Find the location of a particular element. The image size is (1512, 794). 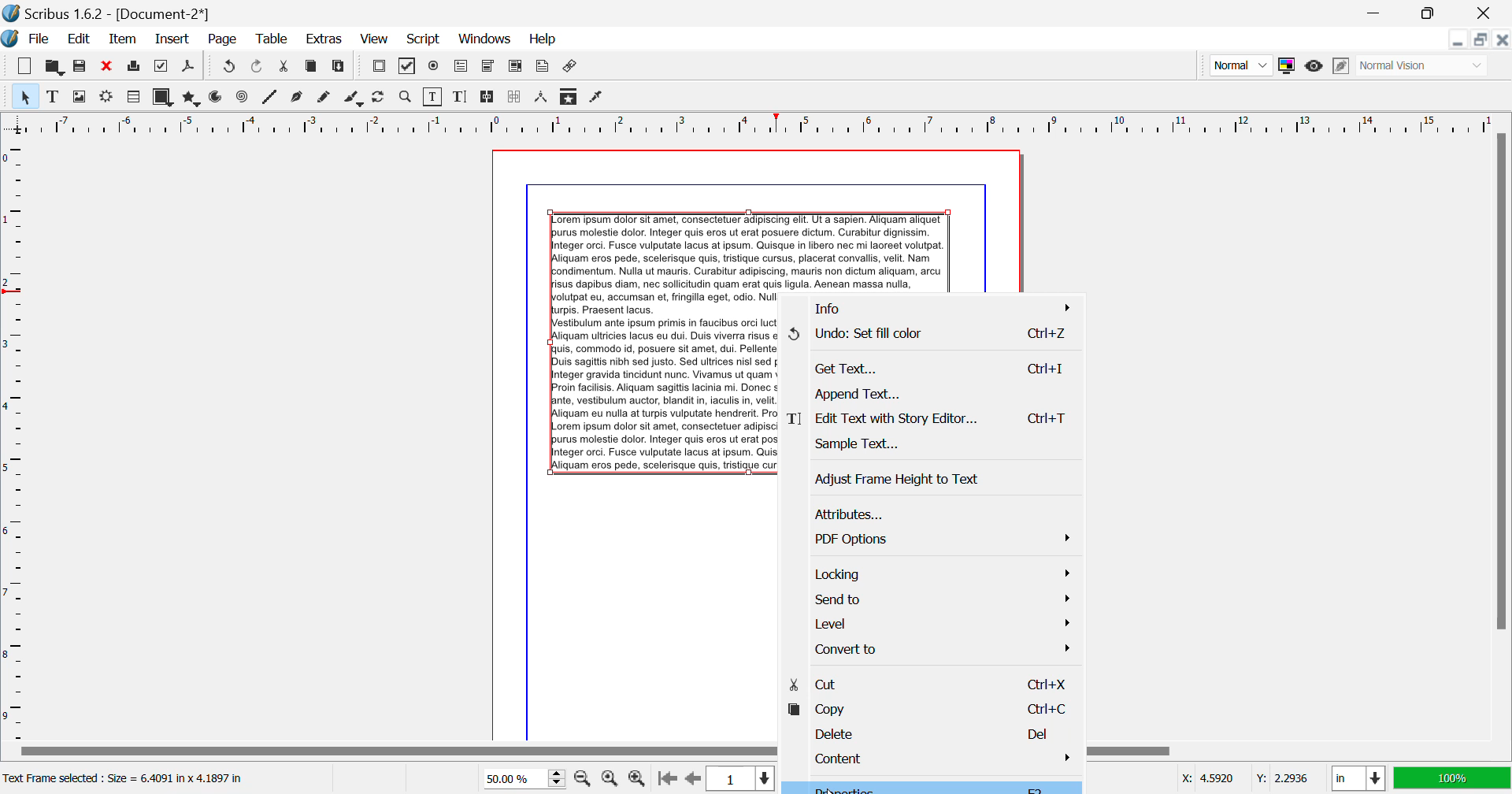

Page 1 of 1 is located at coordinates (737, 778).